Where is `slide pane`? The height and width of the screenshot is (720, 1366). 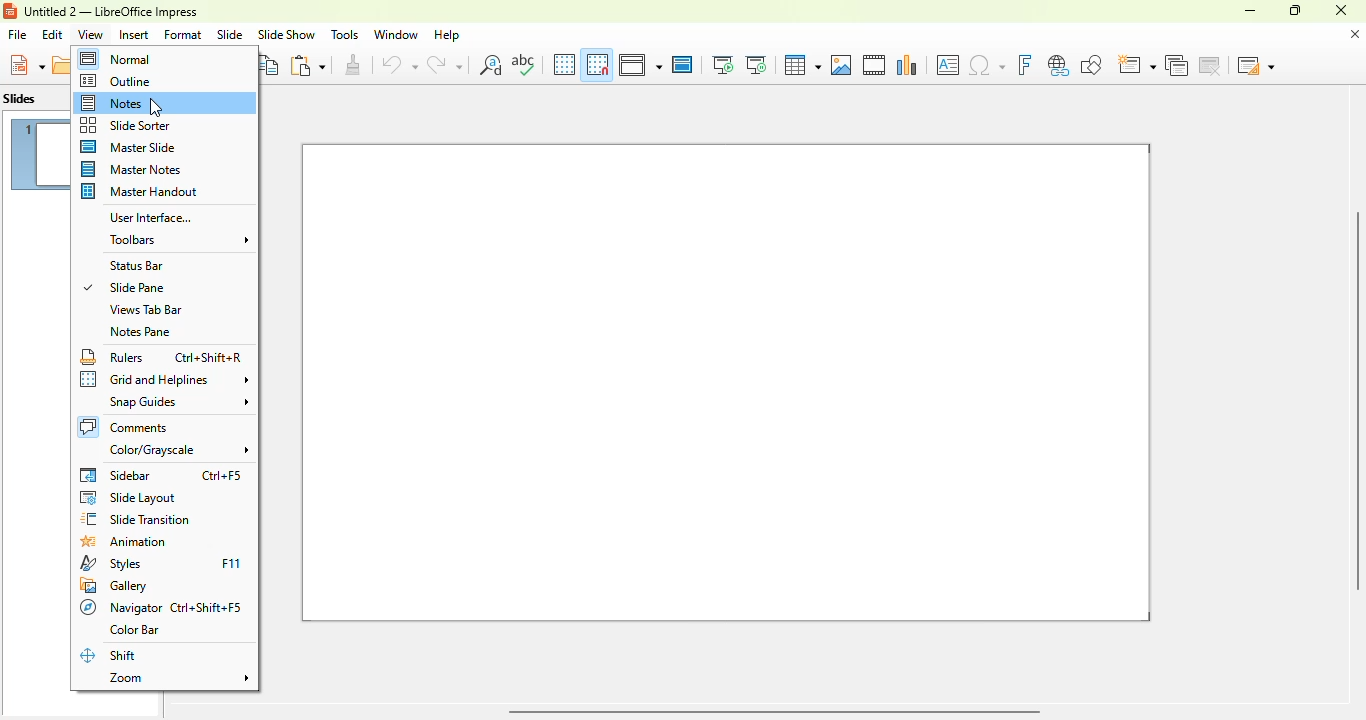 slide pane is located at coordinates (128, 287).